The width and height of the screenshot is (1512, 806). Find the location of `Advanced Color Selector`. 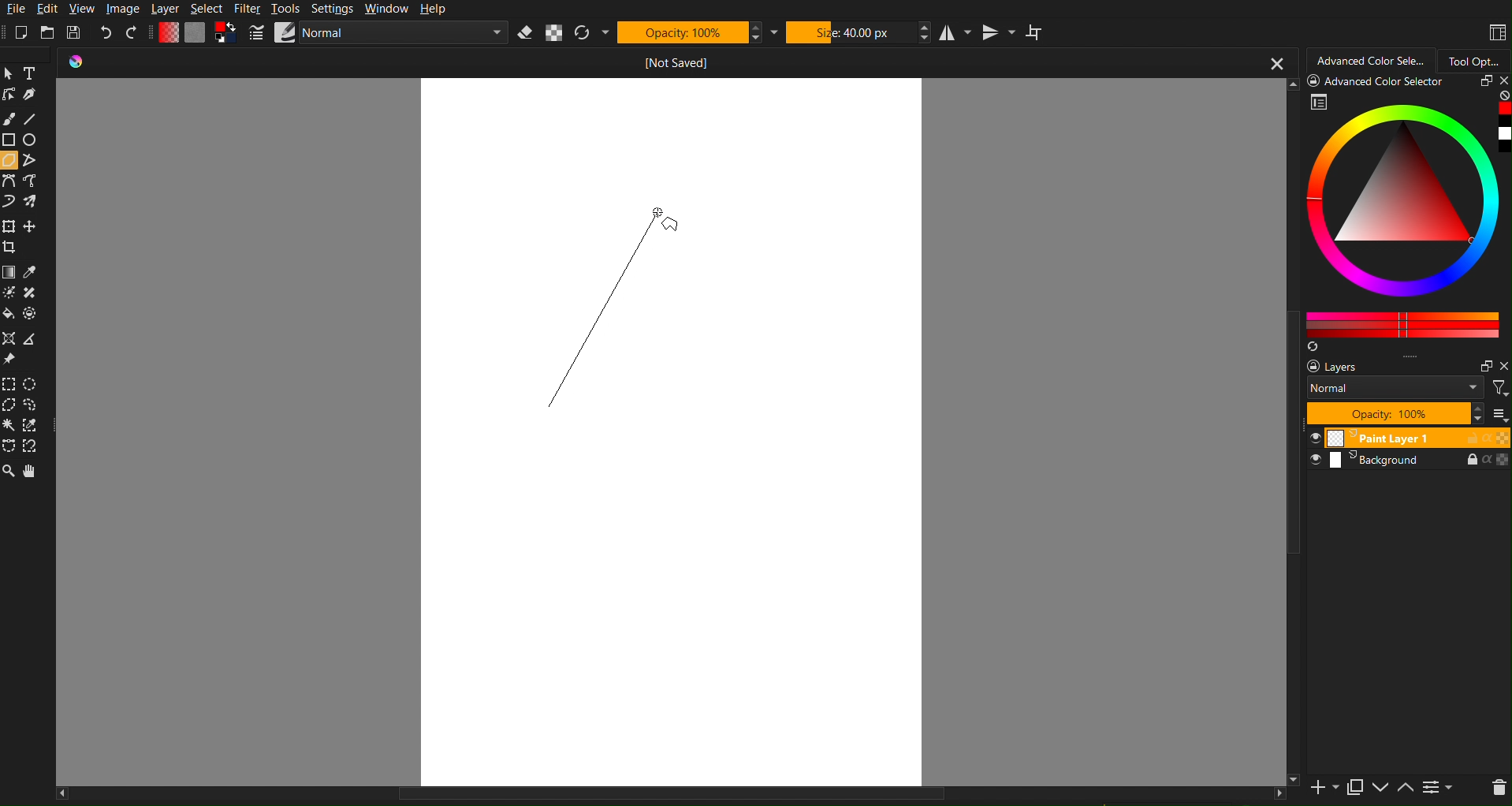

Advanced Color Selector is located at coordinates (1410, 216).